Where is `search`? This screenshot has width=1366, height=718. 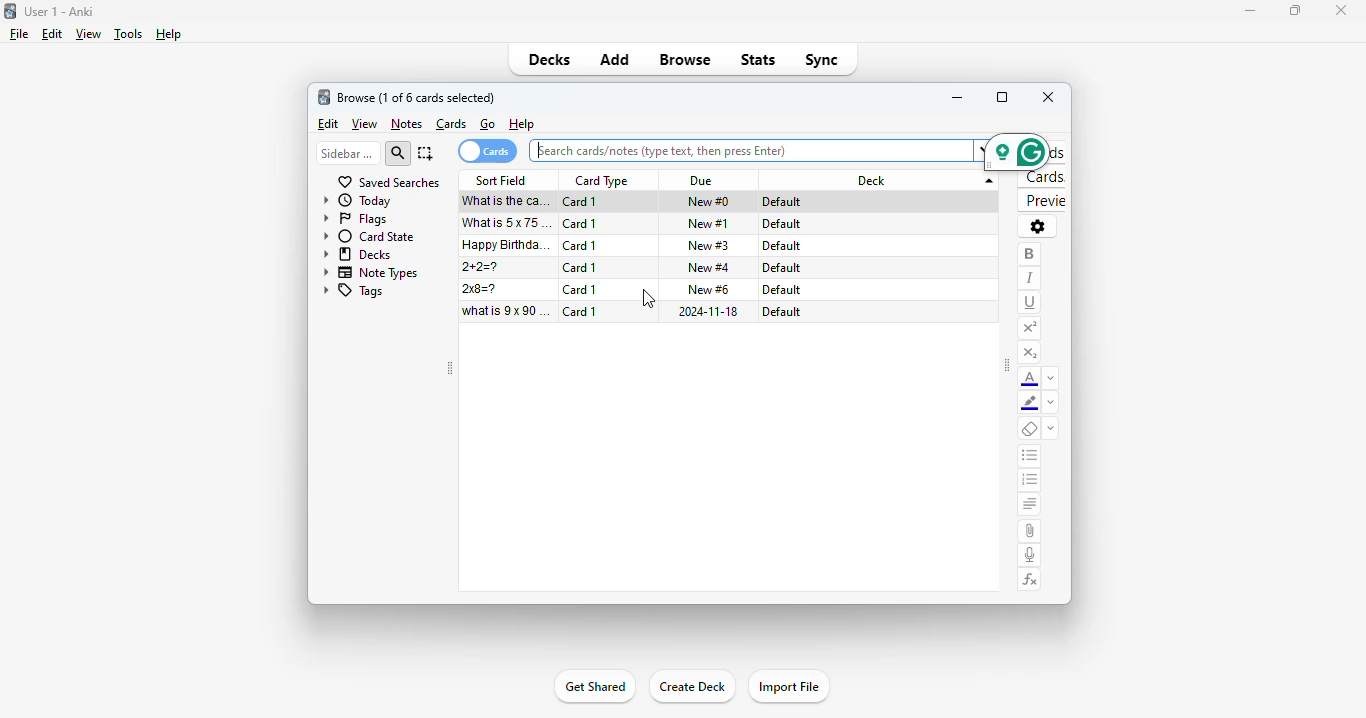 search is located at coordinates (399, 153).